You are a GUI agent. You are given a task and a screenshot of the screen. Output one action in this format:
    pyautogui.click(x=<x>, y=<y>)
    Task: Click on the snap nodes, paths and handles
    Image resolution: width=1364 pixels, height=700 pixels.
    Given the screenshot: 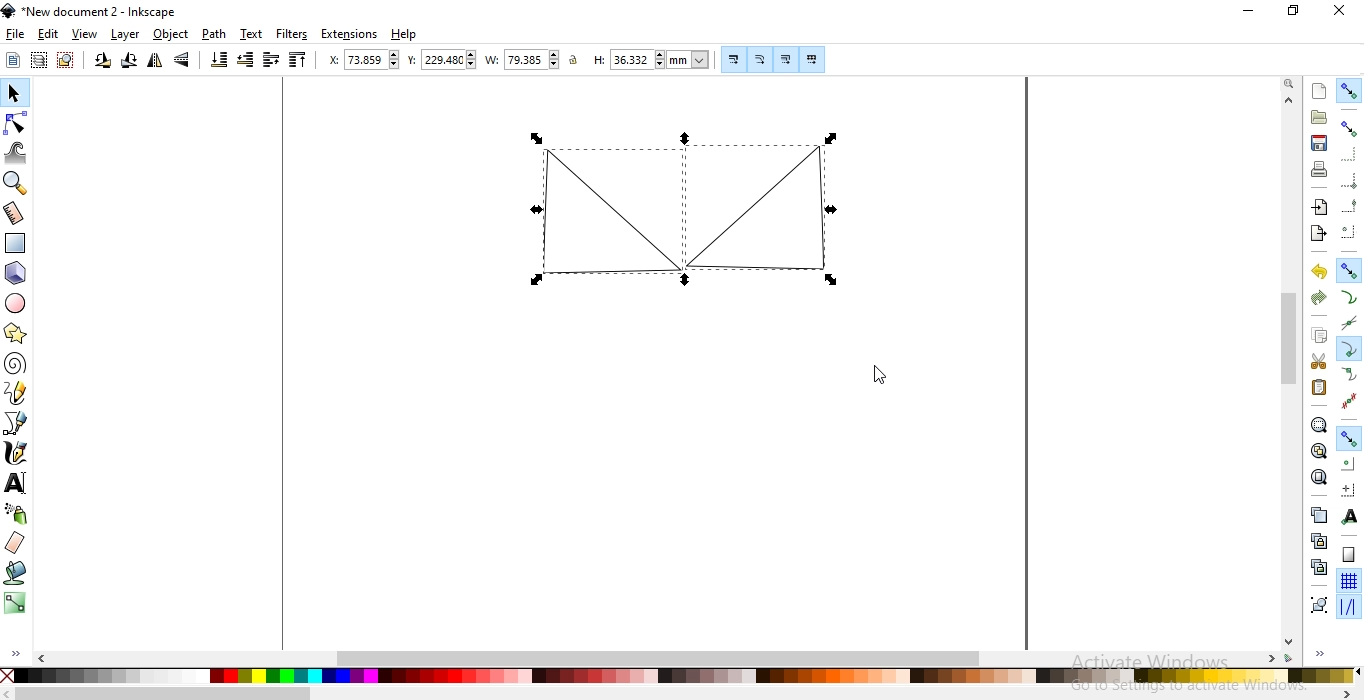 What is the action you would take?
    pyautogui.click(x=1349, y=271)
    